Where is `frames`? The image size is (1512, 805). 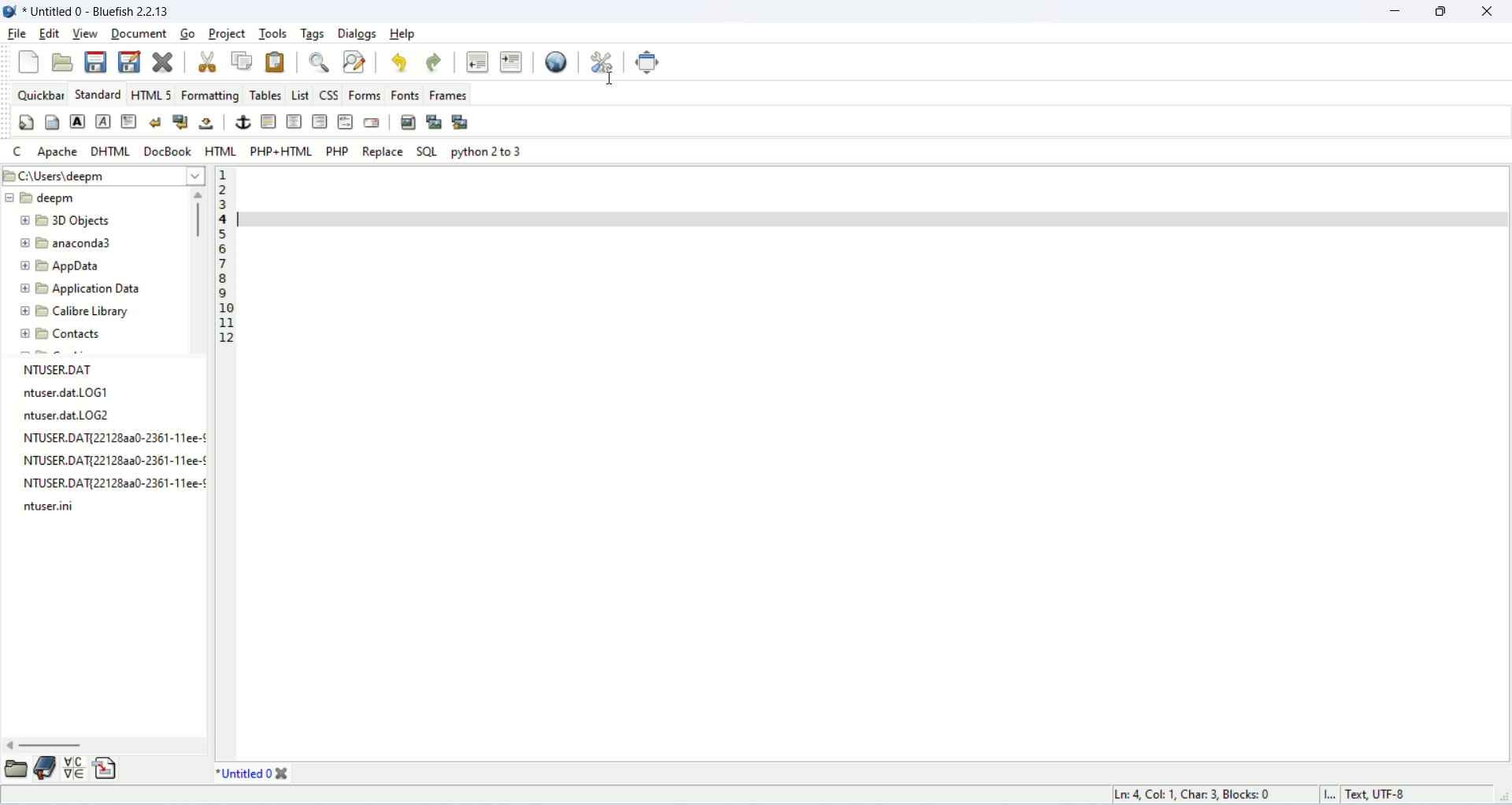
frames is located at coordinates (447, 94).